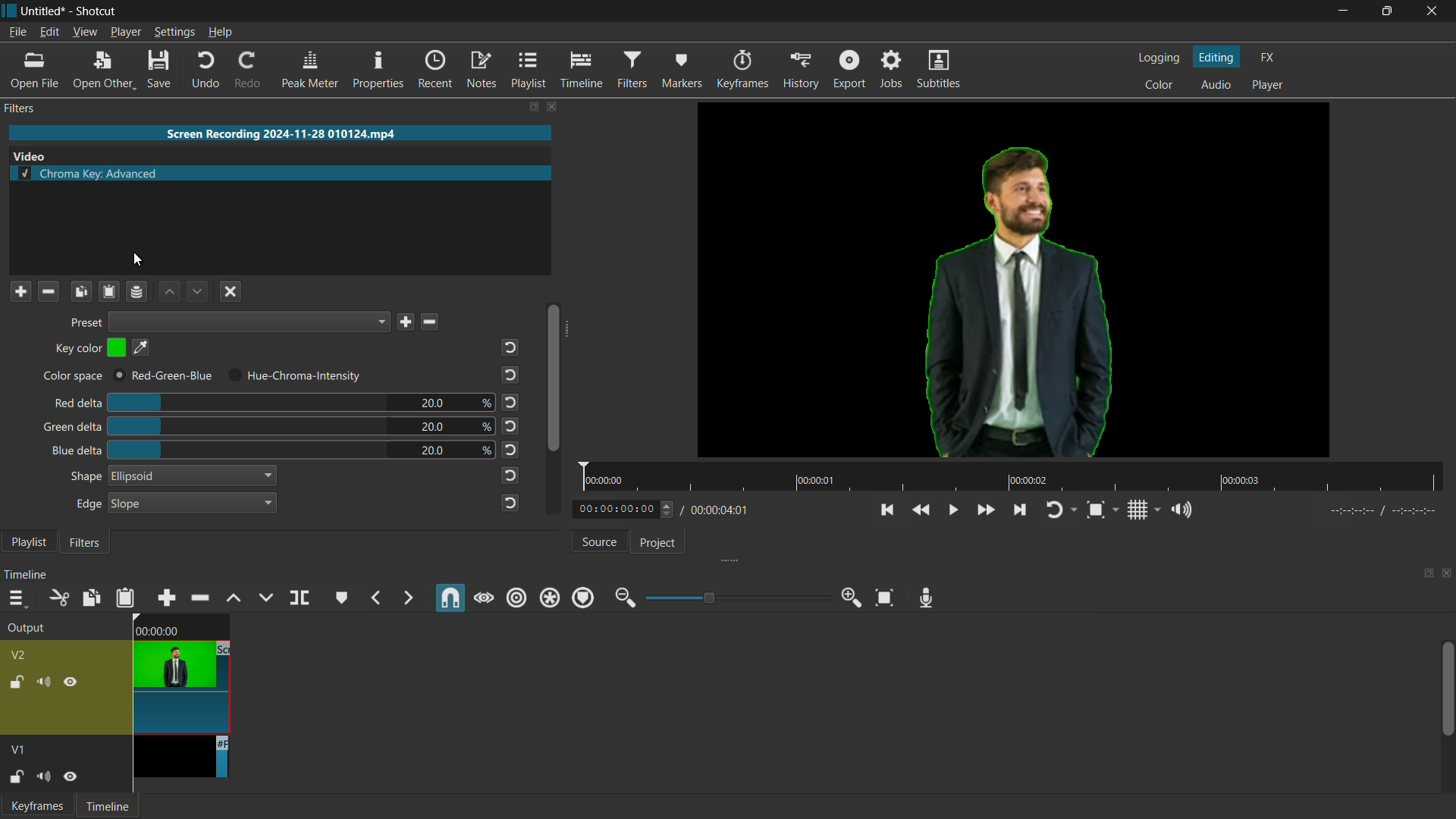  Describe the element at coordinates (281, 134) in the screenshot. I see `imported video name` at that location.